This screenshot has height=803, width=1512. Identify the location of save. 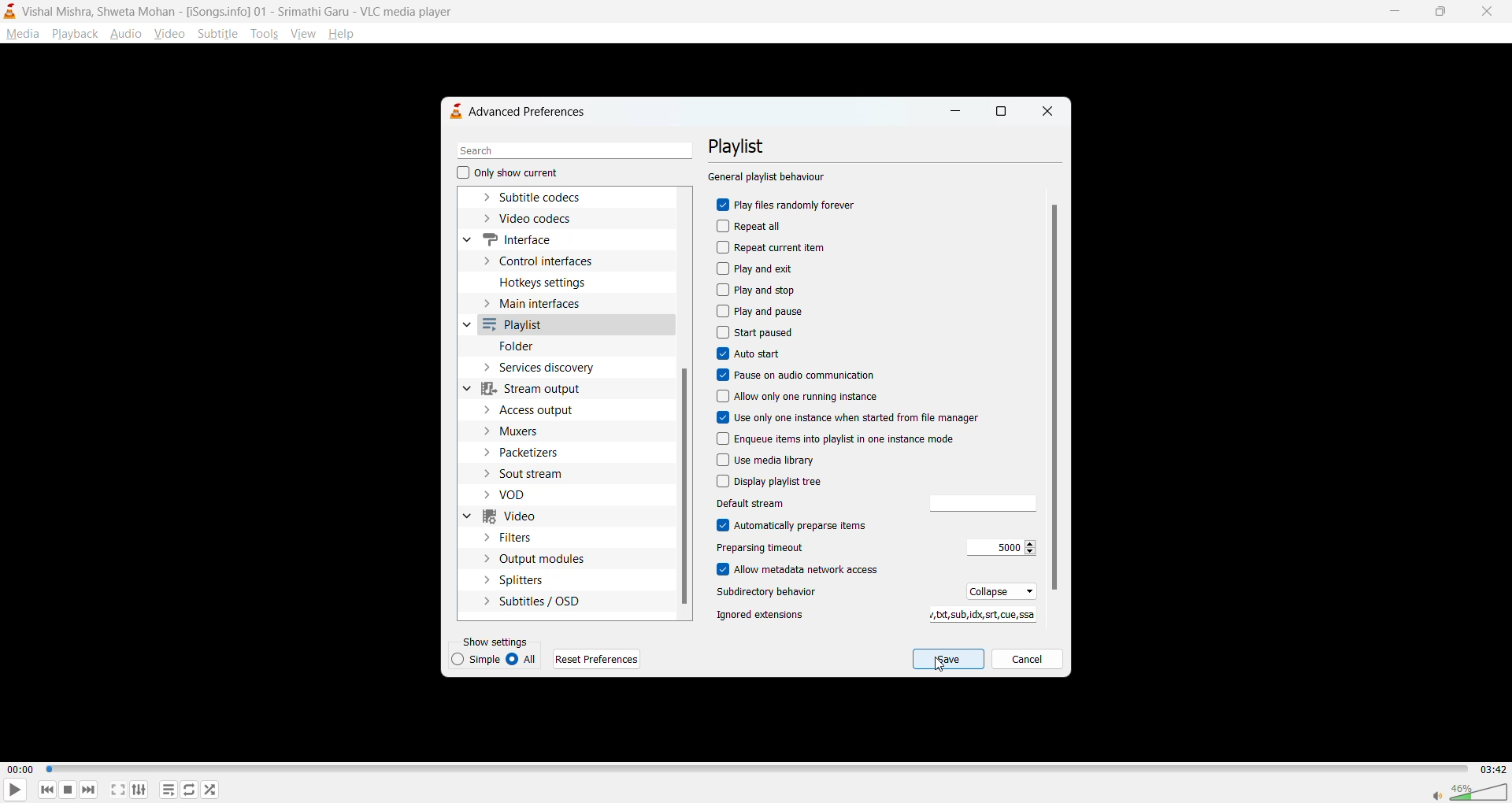
(949, 660).